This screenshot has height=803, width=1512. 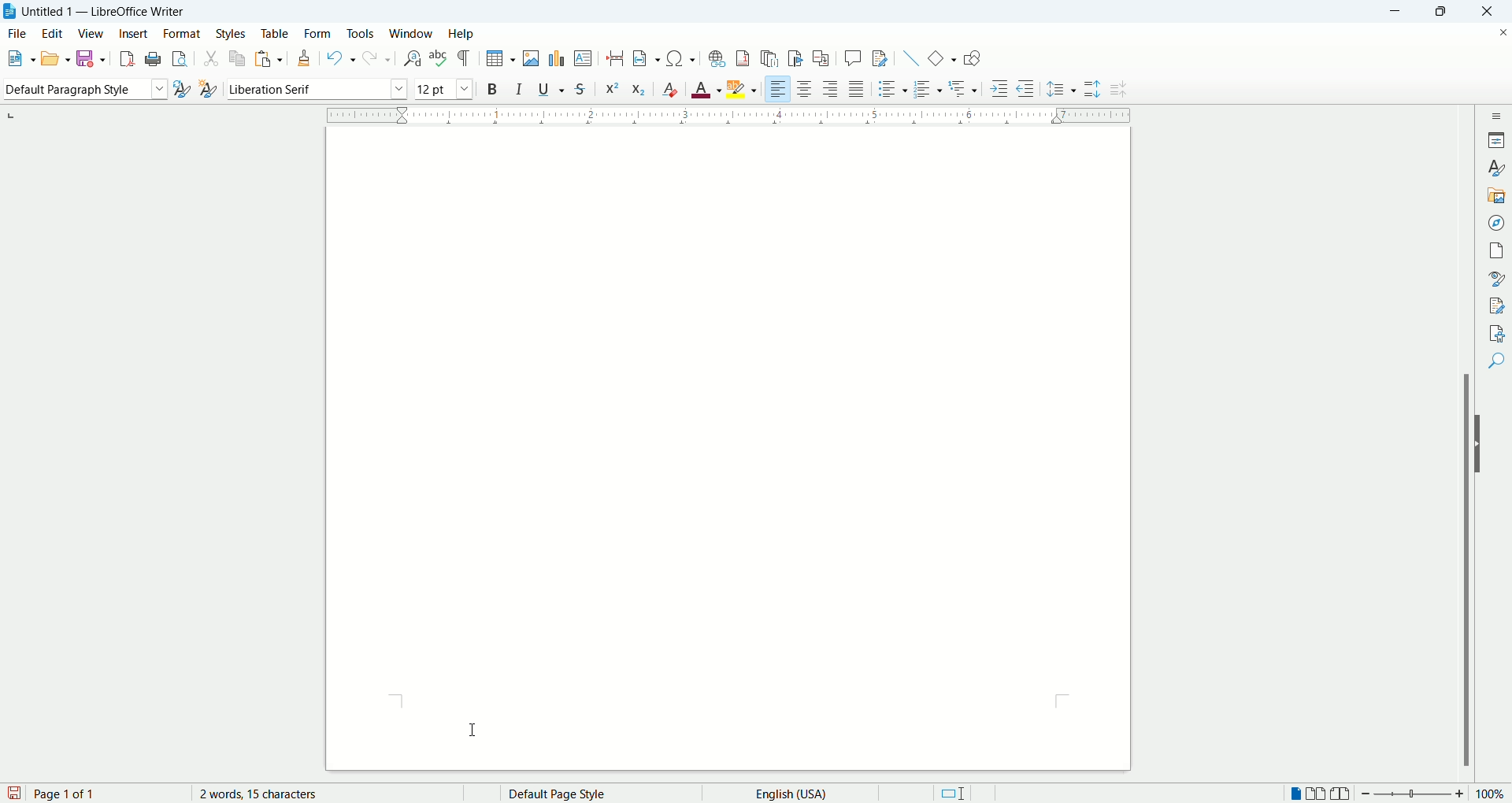 I want to click on manage changes, so click(x=1498, y=306).